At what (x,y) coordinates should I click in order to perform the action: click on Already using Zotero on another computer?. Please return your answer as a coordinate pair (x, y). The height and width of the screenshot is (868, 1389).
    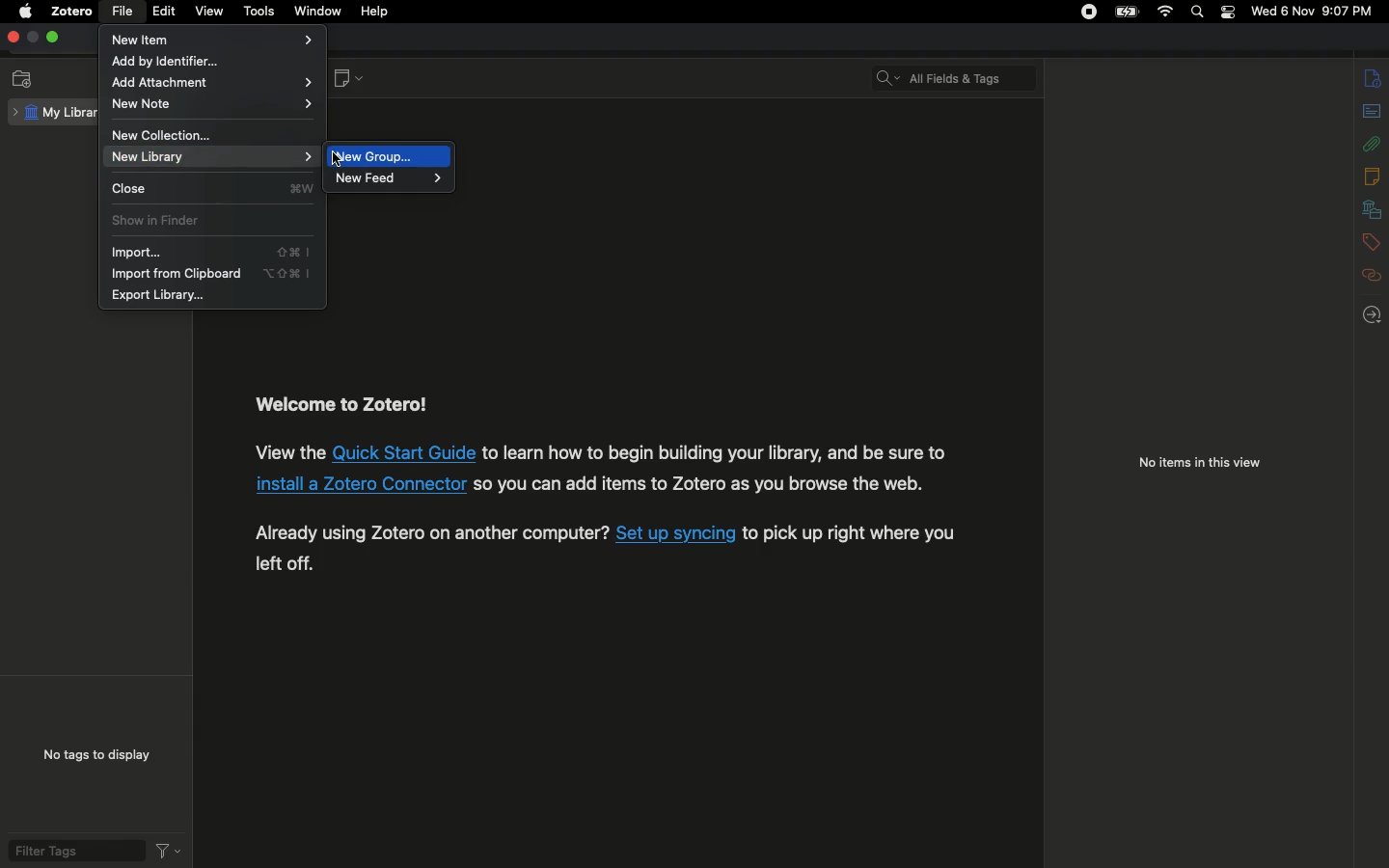
    Looking at the image, I should click on (432, 532).